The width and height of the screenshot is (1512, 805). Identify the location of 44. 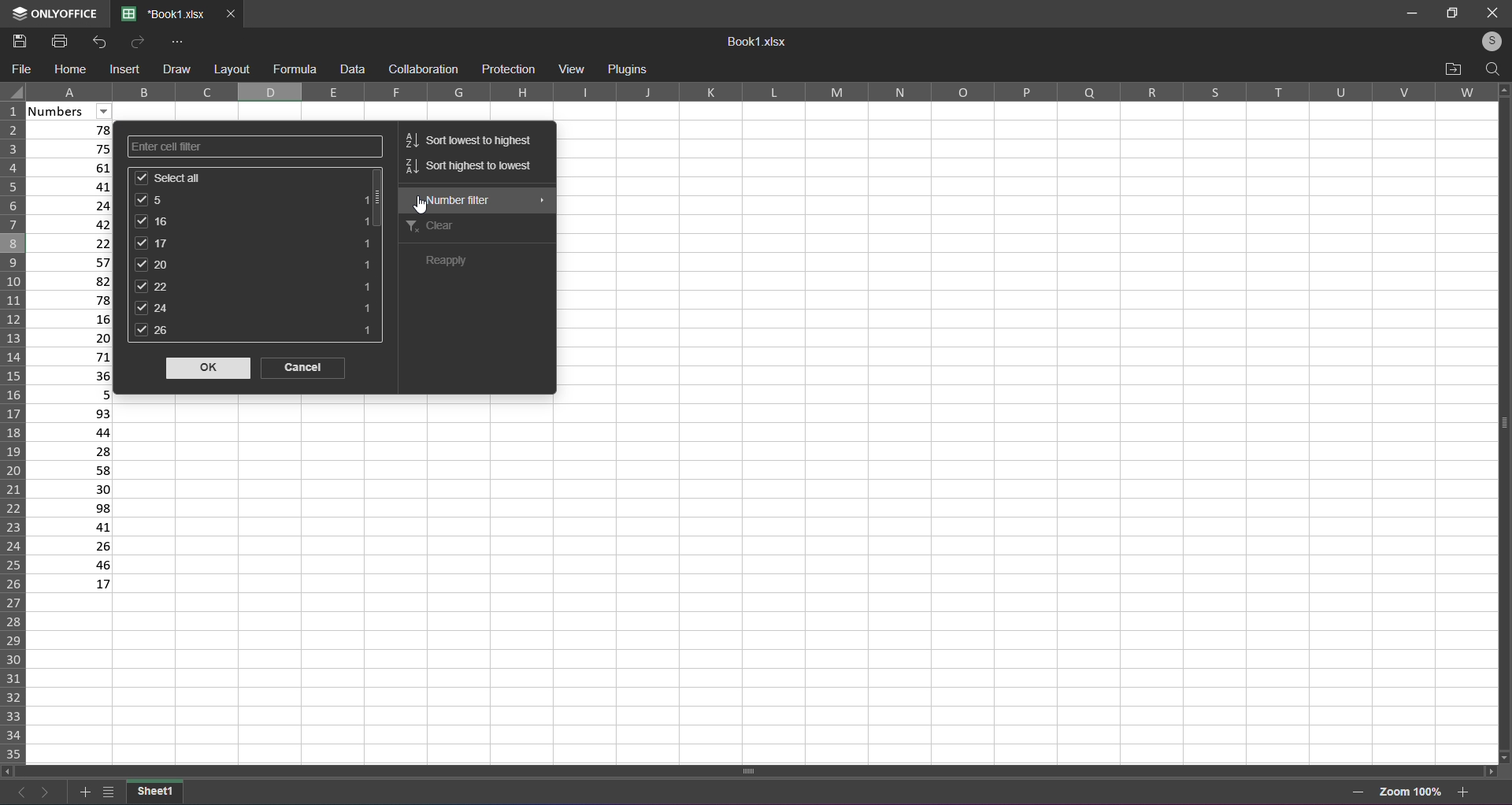
(71, 432).